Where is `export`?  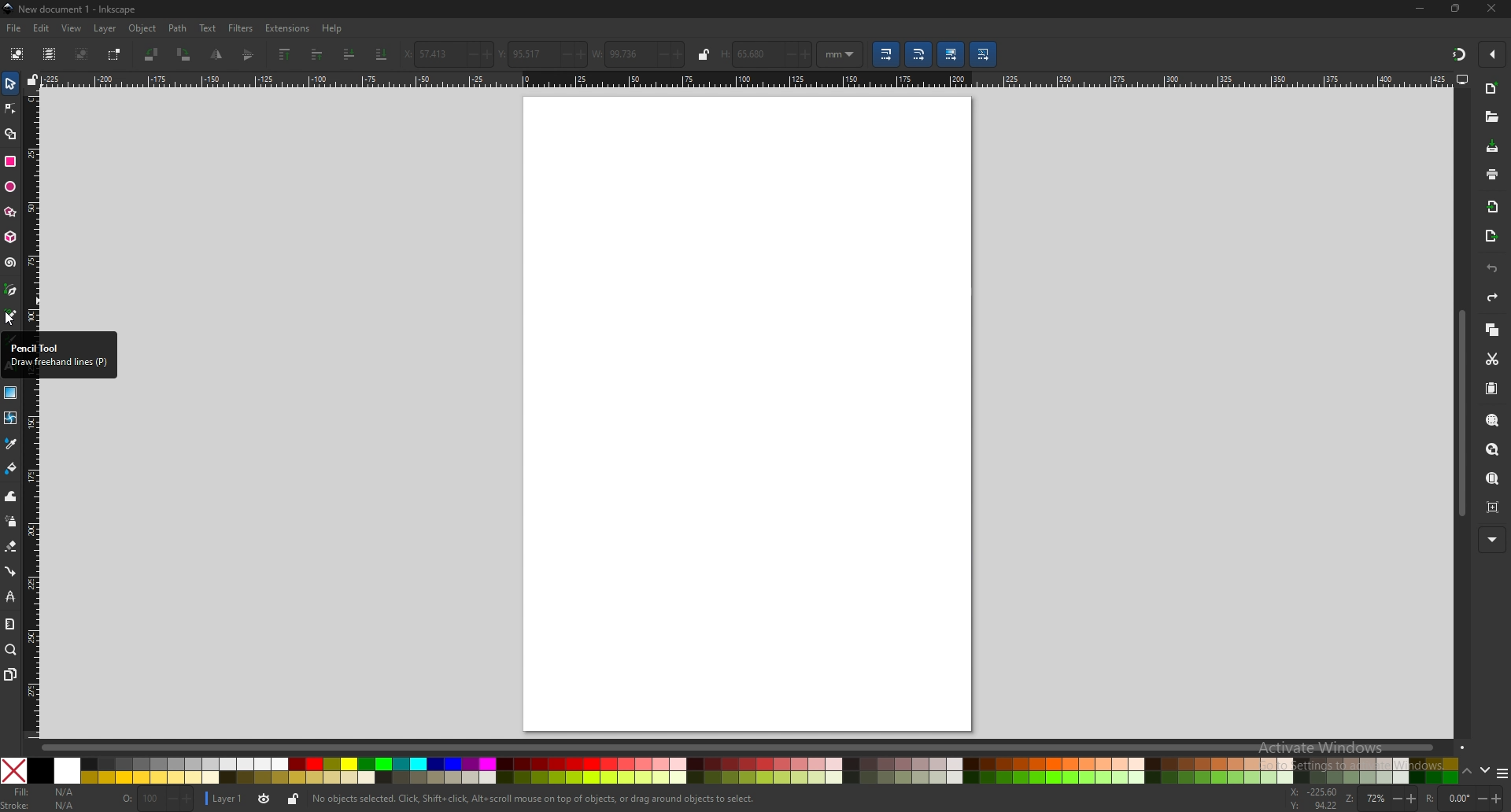
export is located at coordinates (1491, 238).